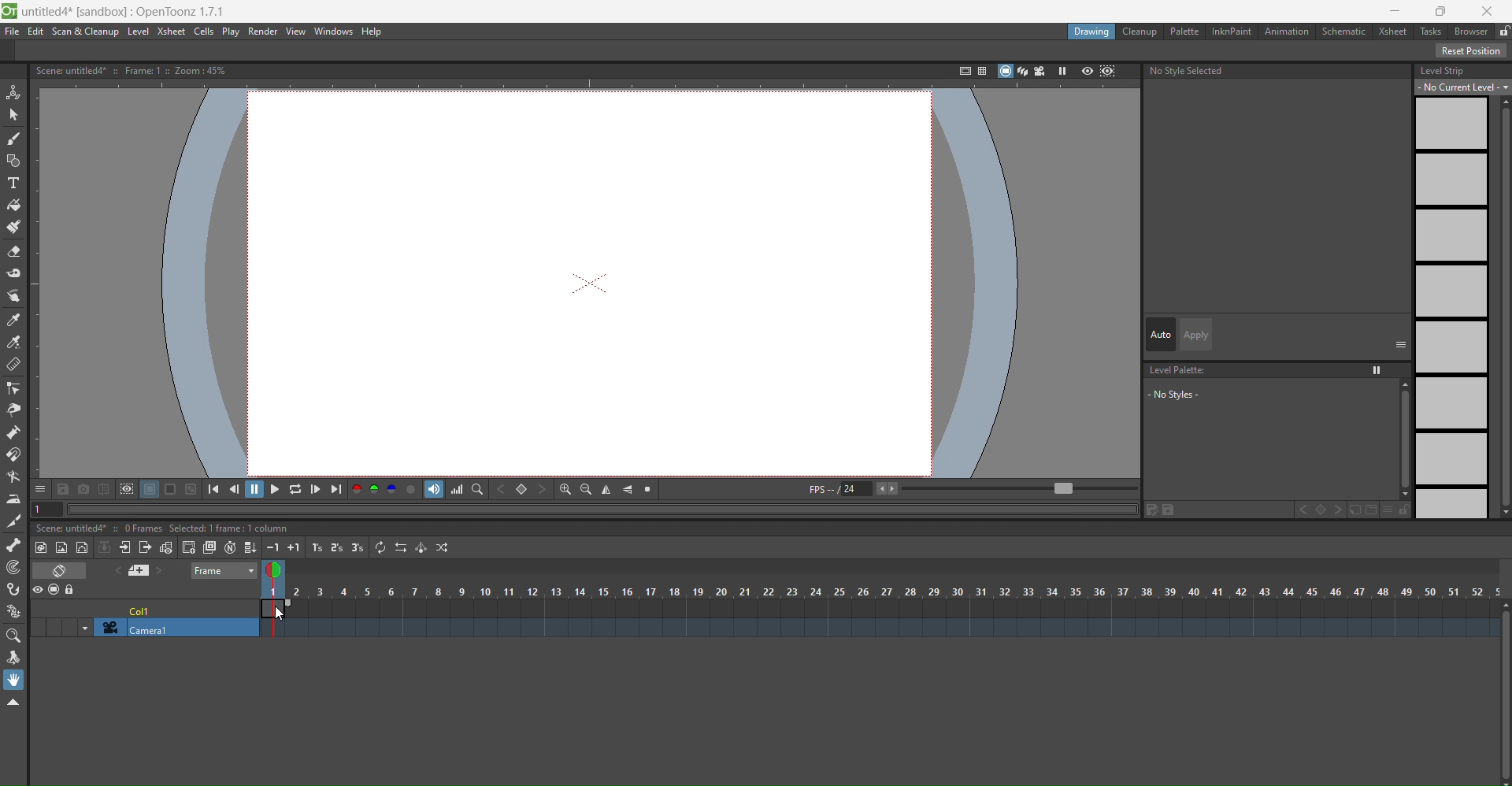  I want to click on fps, so click(972, 490).